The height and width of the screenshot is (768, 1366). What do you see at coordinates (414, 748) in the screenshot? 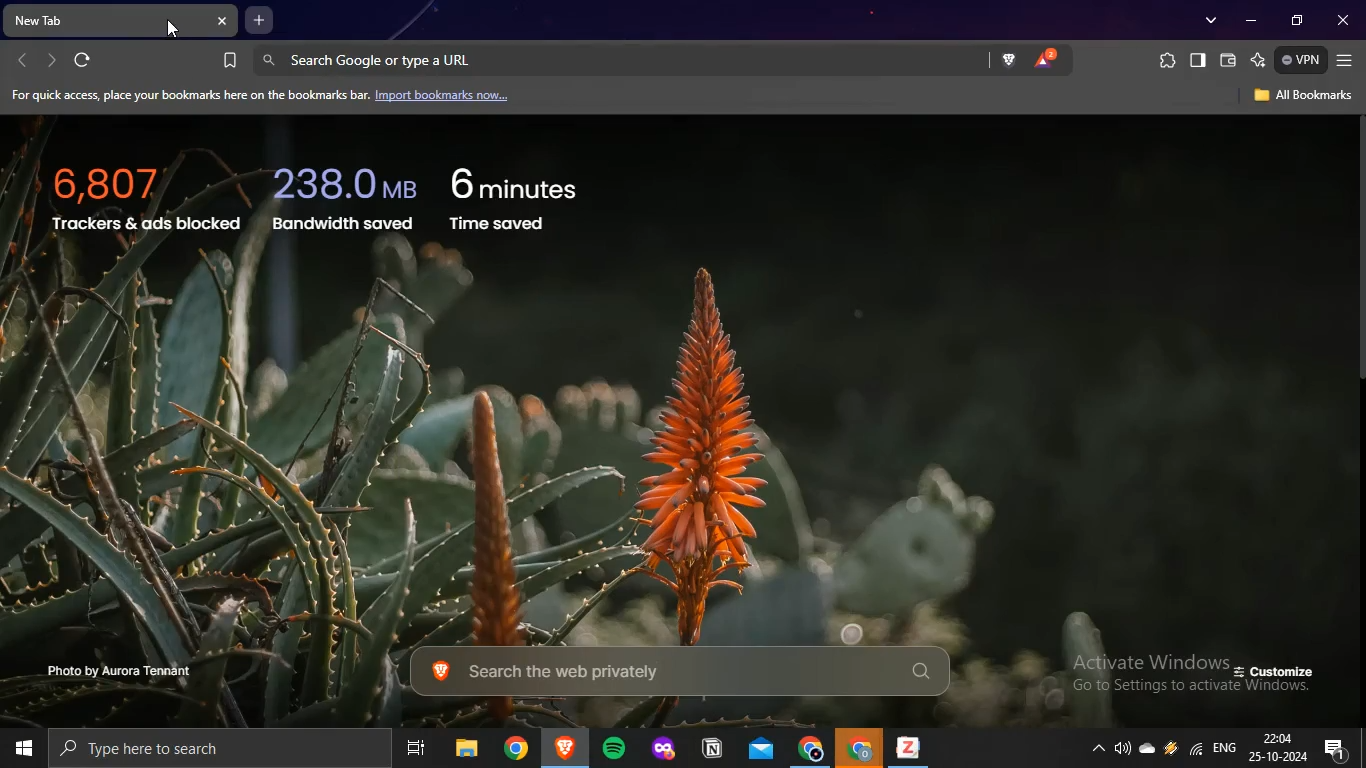
I see `task view ` at bounding box center [414, 748].